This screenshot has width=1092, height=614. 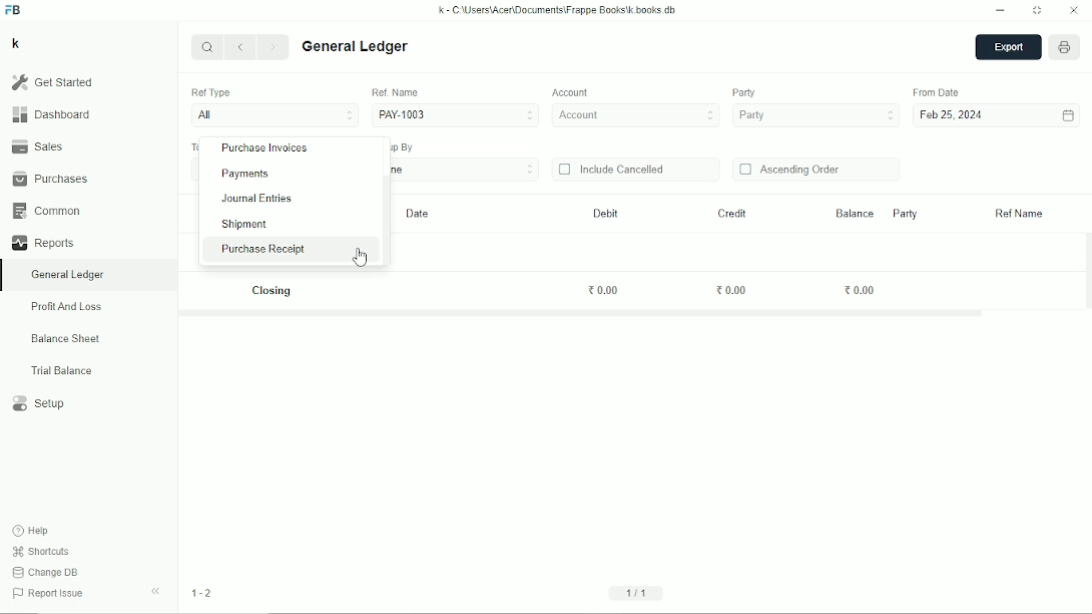 I want to click on General ledger, so click(x=356, y=47).